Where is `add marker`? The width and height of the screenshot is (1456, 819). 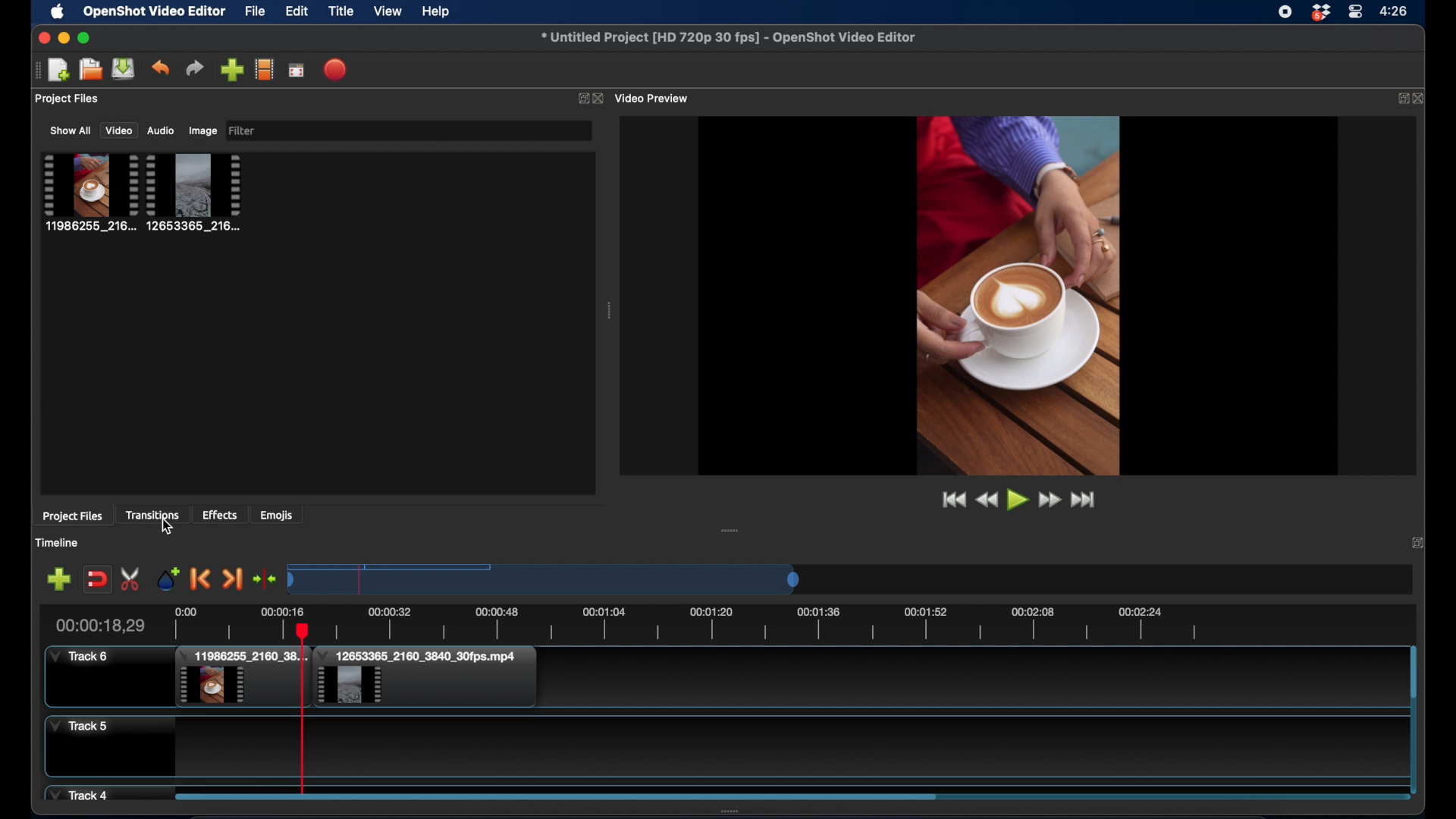 add marker is located at coordinates (168, 578).